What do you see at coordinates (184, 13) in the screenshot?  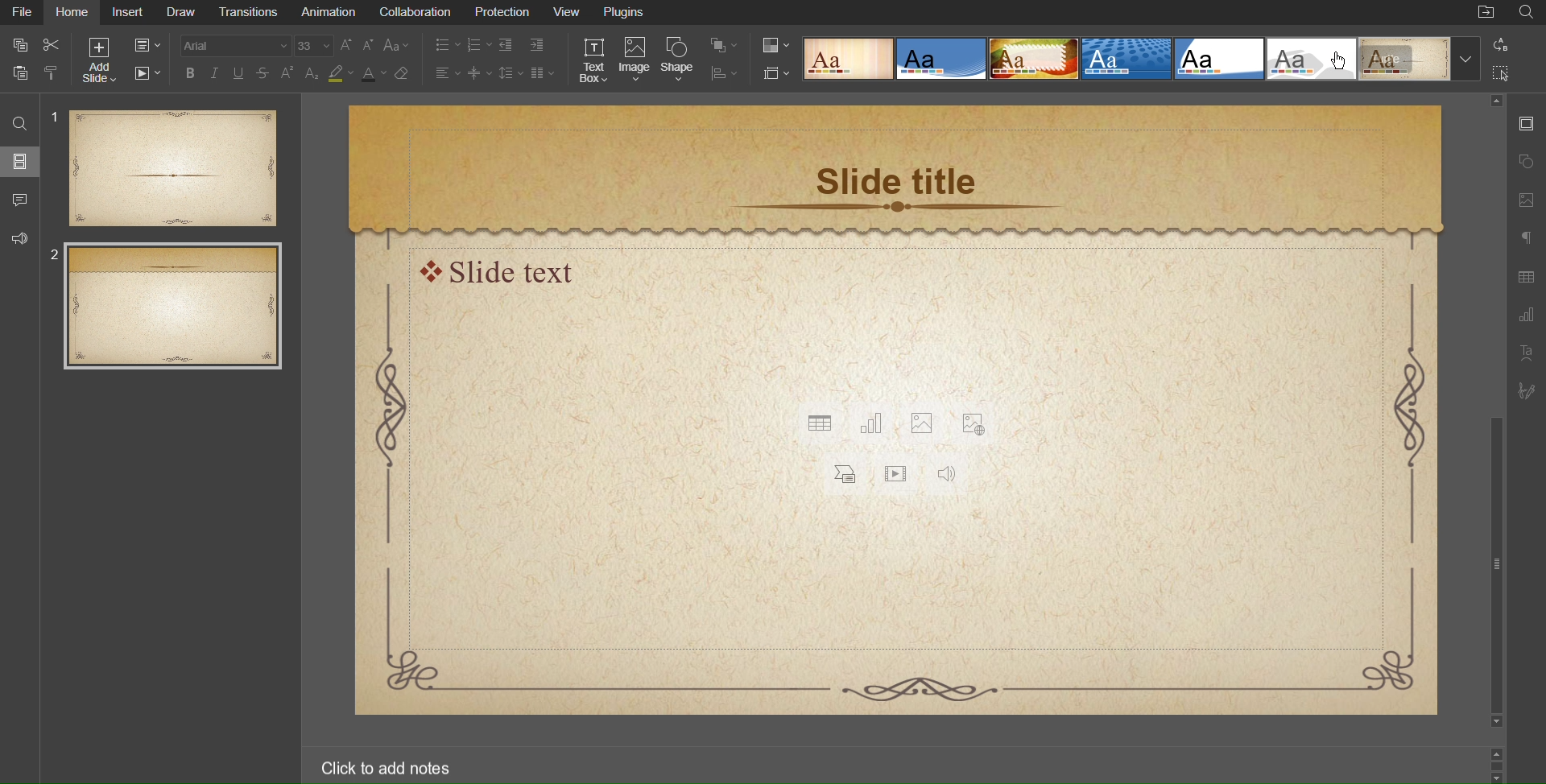 I see `Draw` at bounding box center [184, 13].